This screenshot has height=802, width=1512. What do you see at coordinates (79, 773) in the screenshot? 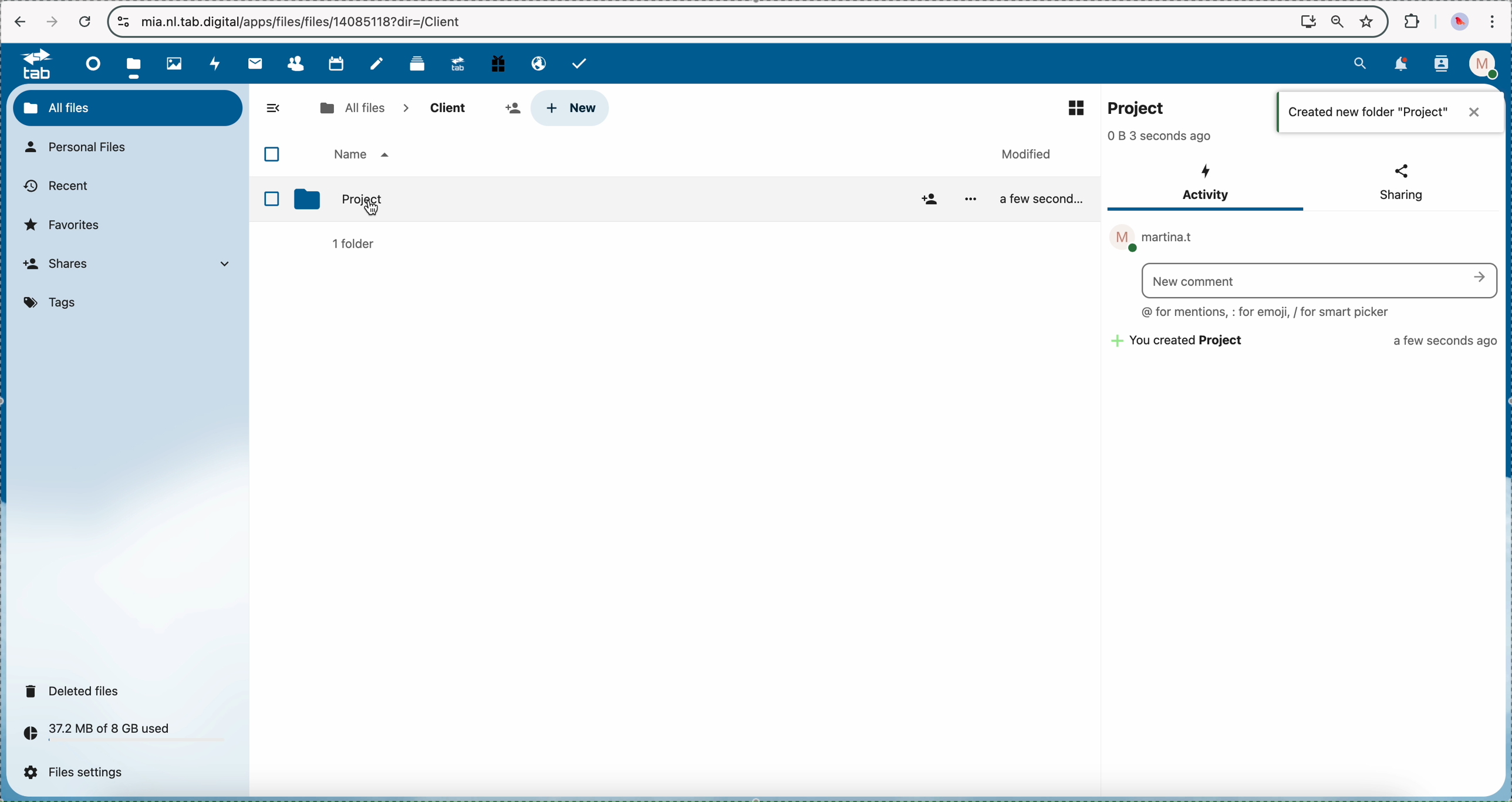
I see `files settings` at bounding box center [79, 773].